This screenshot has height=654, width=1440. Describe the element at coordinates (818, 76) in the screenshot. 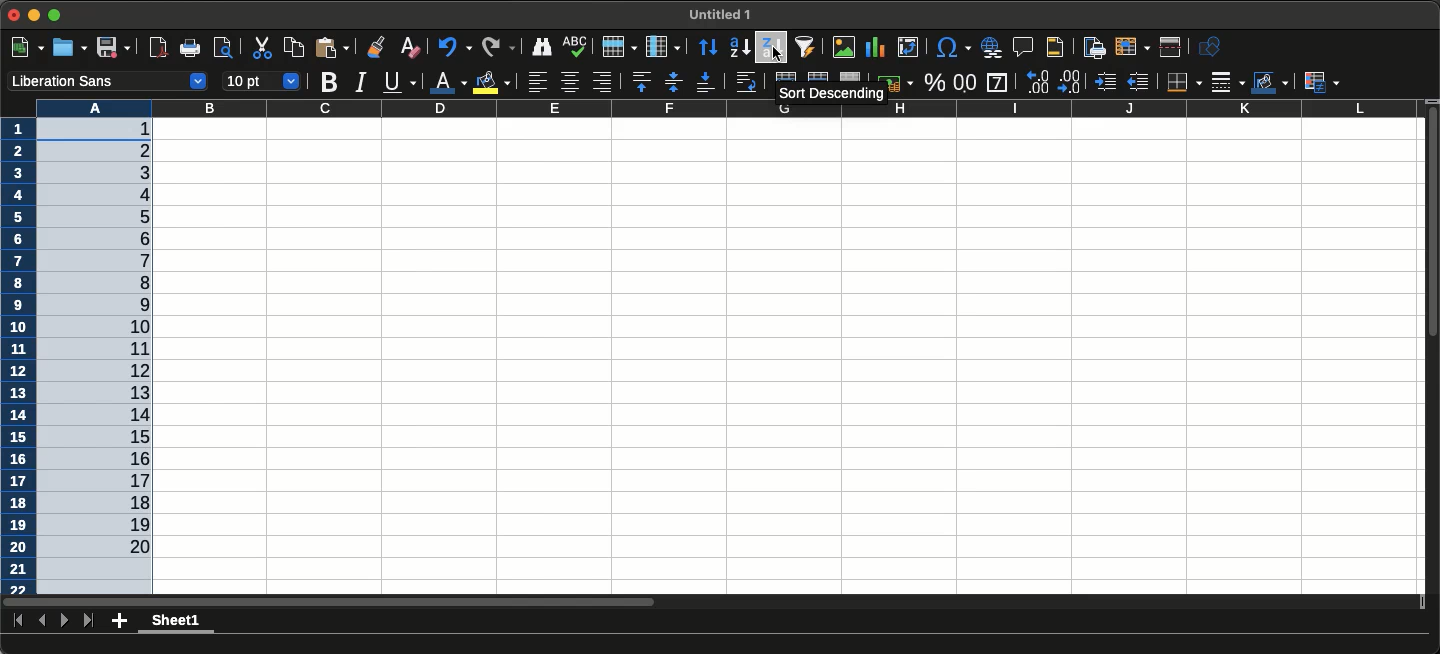

I see `Merge cells` at that location.